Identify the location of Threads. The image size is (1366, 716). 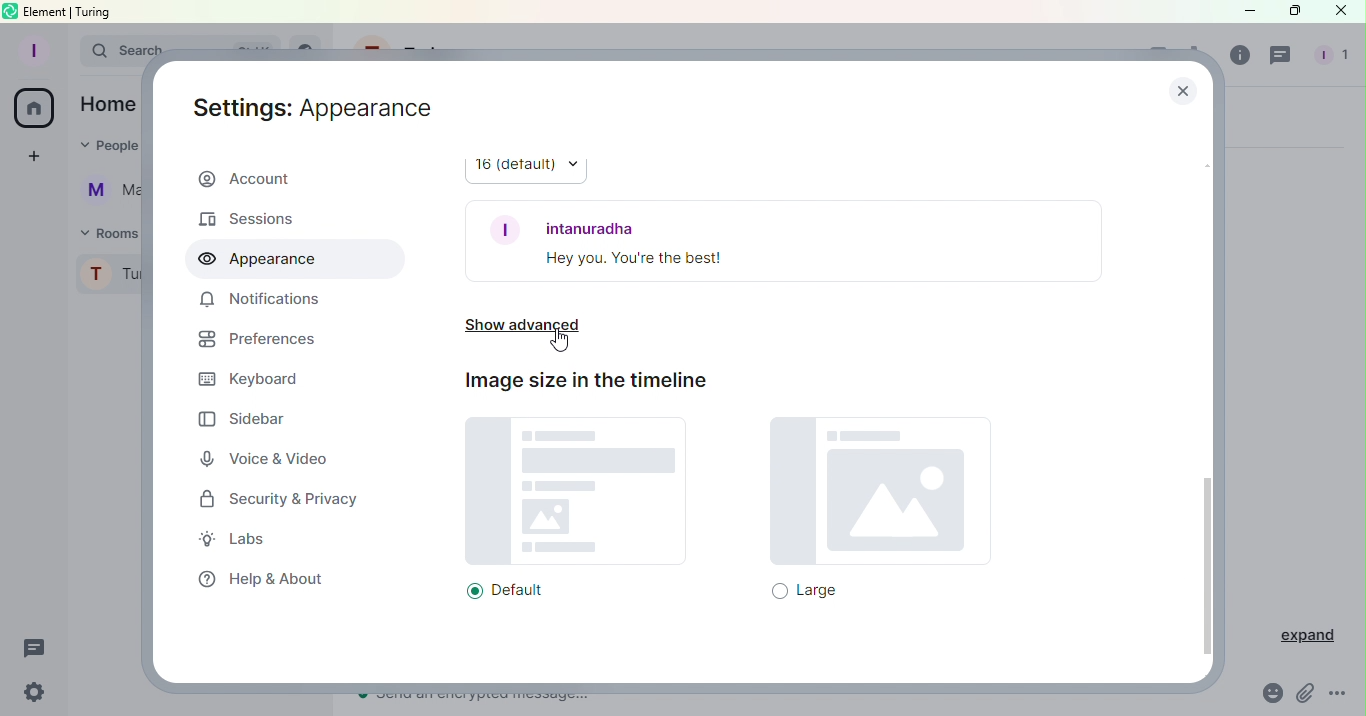
(34, 645).